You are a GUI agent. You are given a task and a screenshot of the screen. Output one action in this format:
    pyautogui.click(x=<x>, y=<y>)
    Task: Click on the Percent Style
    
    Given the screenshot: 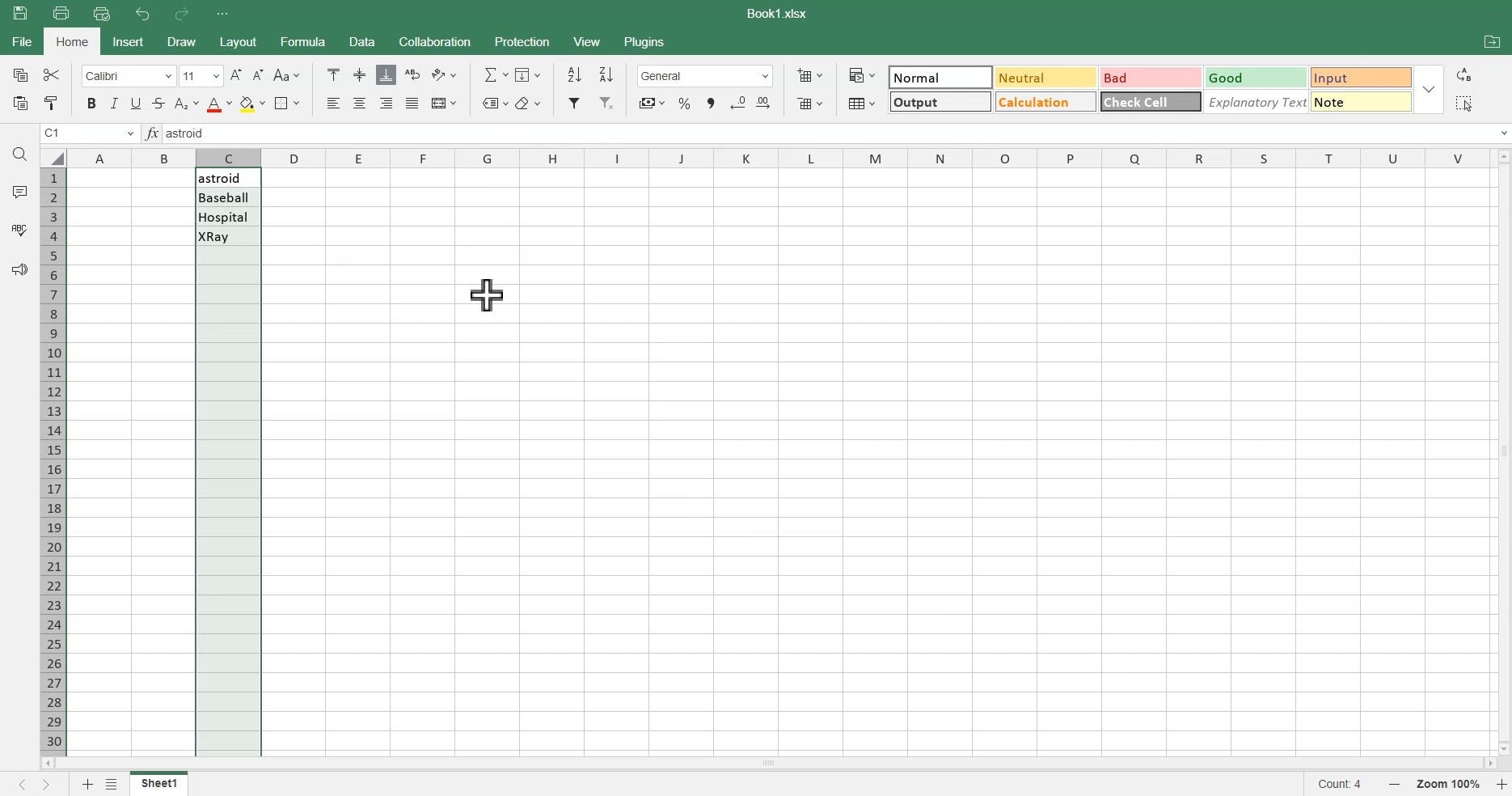 What is the action you would take?
    pyautogui.click(x=684, y=103)
    